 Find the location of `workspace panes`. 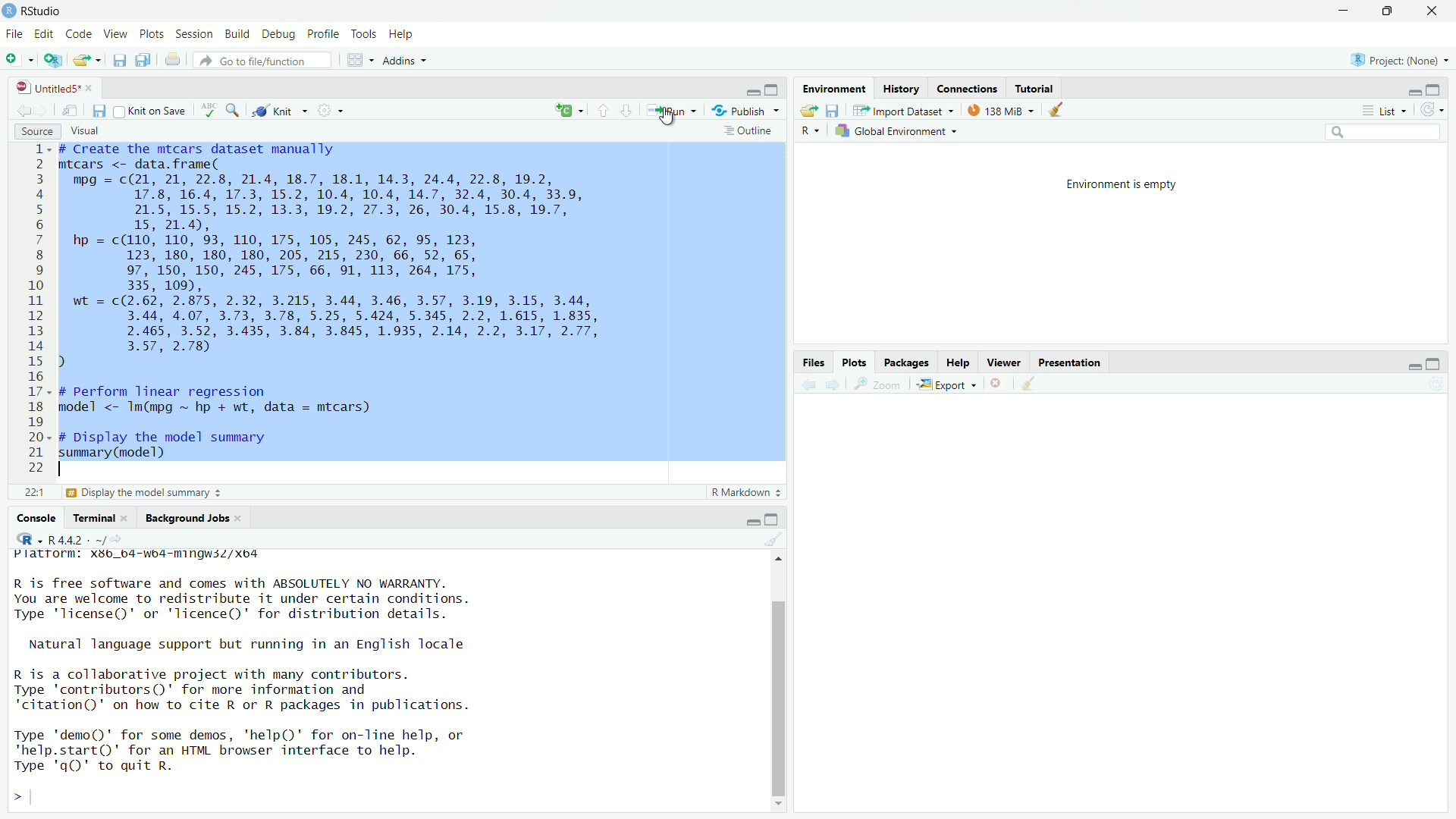

workspace panes is located at coordinates (356, 60).